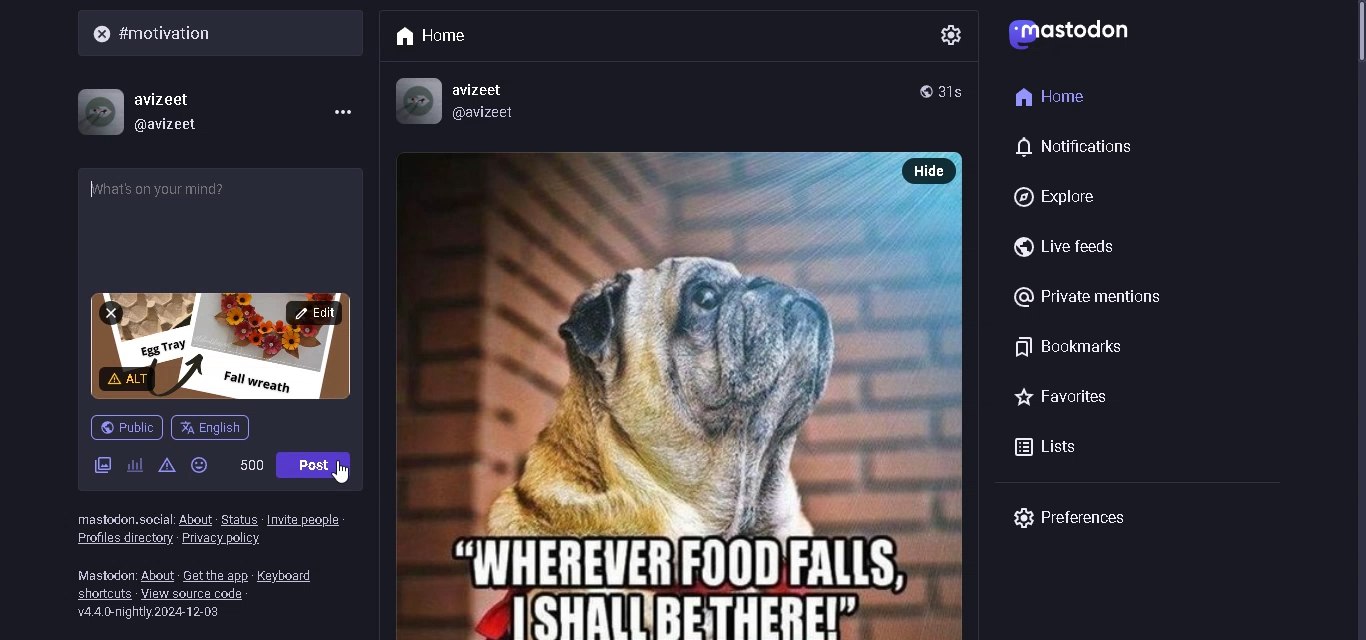 This screenshot has height=640, width=1366. What do you see at coordinates (338, 111) in the screenshot?
I see `menu` at bounding box center [338, 111].